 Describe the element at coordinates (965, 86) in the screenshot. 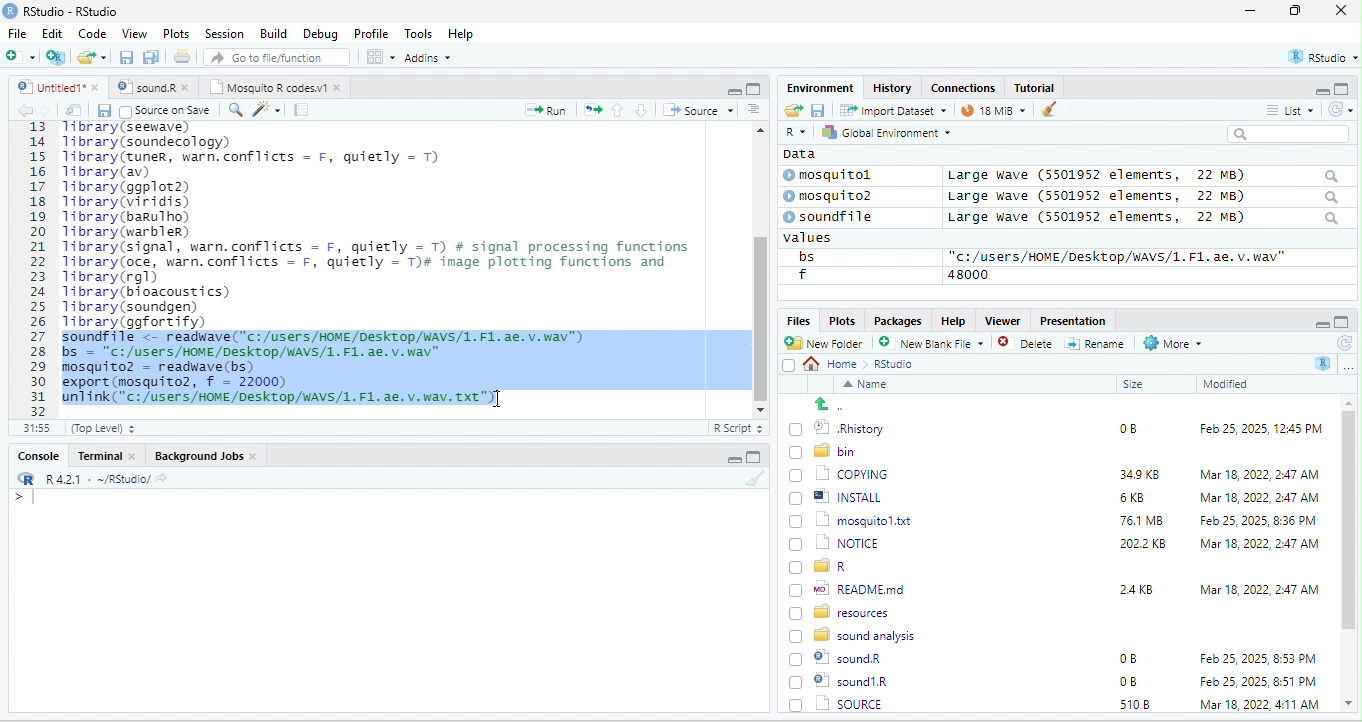

I see `clases` at that location.